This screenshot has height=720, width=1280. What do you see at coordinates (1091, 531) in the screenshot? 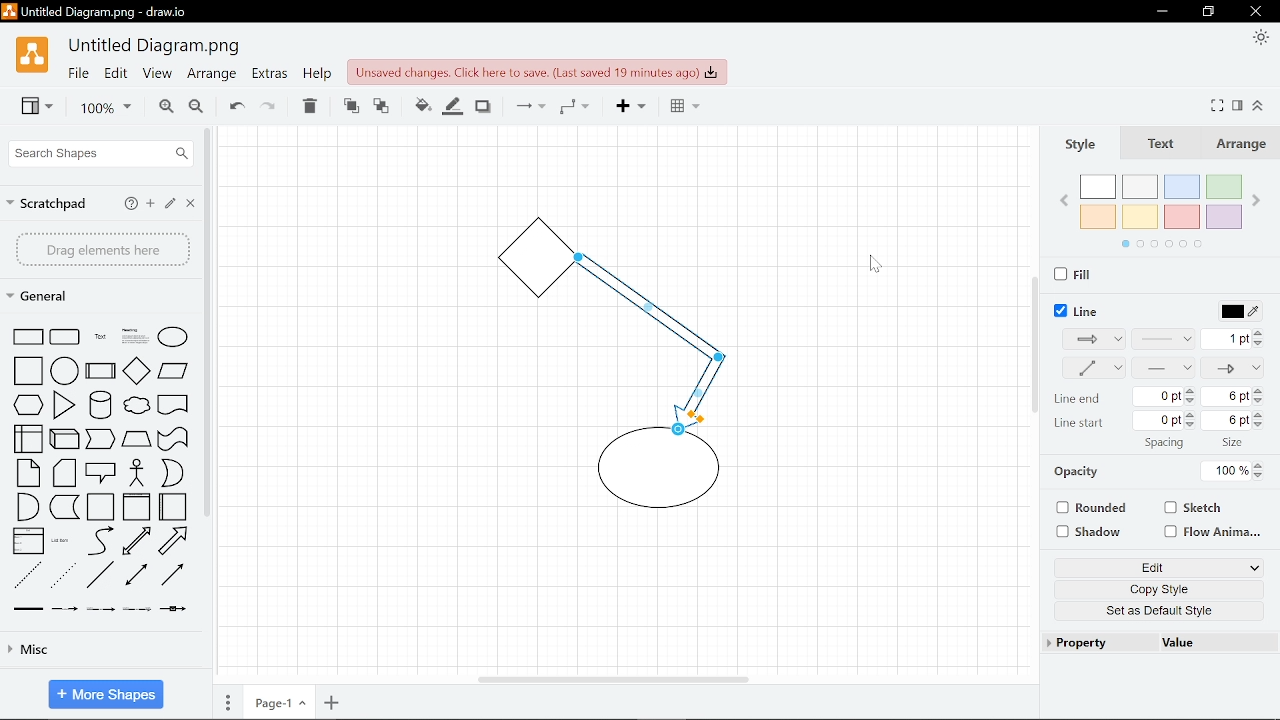
I see `Shadow ` at bounding box center [1091, 531].